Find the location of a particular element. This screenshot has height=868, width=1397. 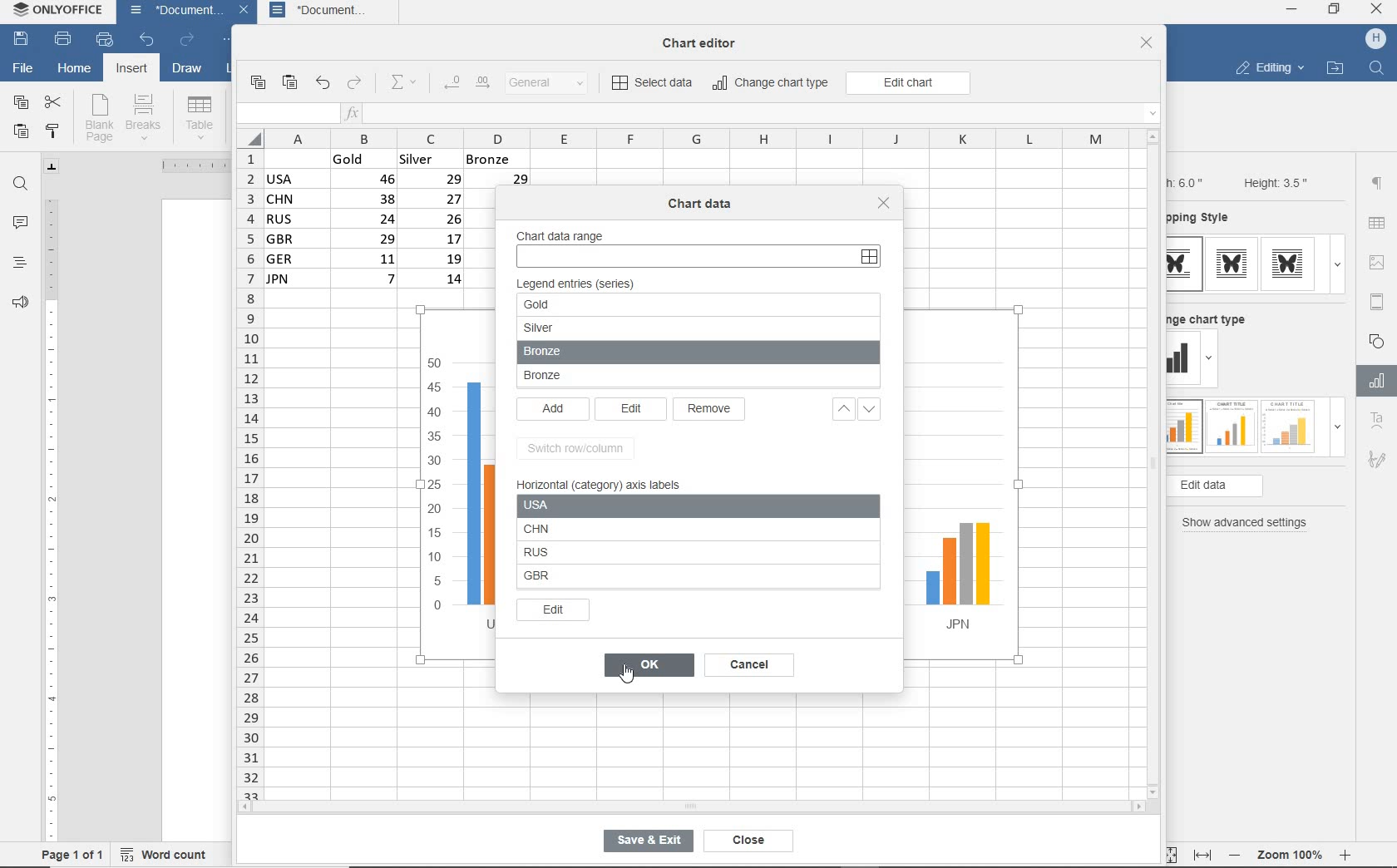

USA is located at coordinates (475, 505).